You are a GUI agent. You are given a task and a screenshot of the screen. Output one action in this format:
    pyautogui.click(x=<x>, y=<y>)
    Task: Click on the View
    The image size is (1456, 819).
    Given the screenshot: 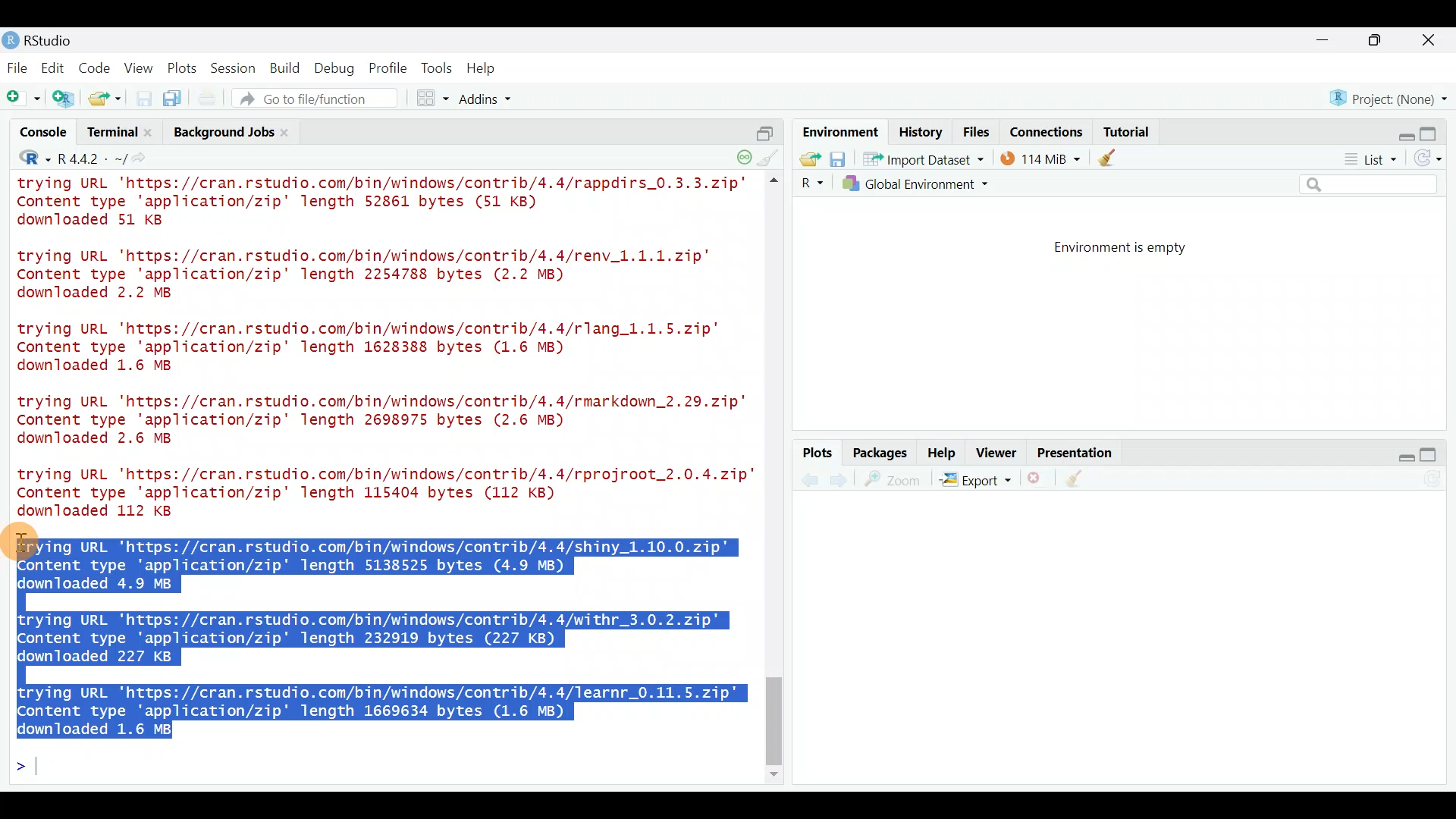 What is the action you would take?
    pyautogui.click(x=140, y=67)
    